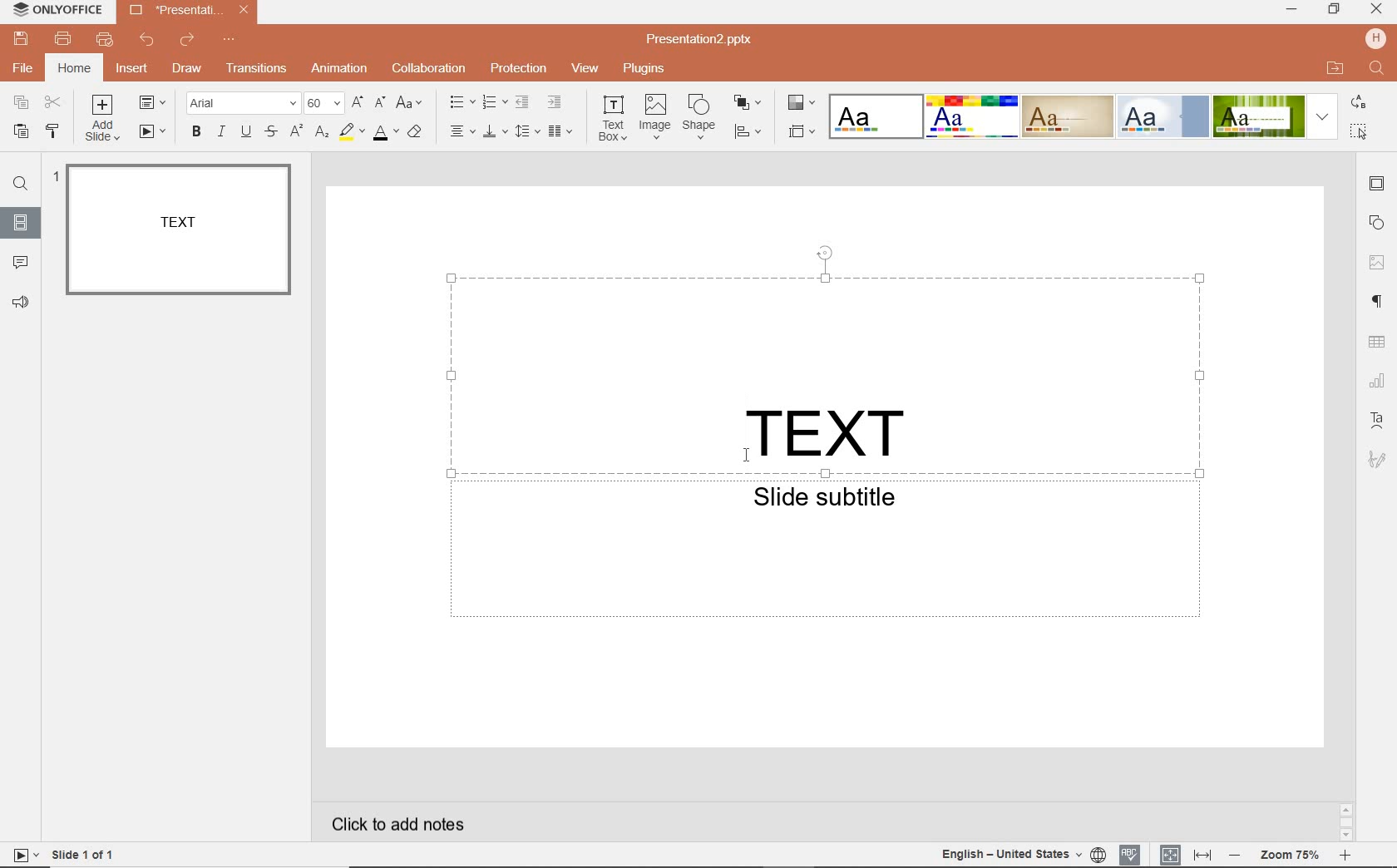 The image size is (1397, 868). Describe the element at coordinates (73, 70) in the screenshot. I see `HOME` at that location.